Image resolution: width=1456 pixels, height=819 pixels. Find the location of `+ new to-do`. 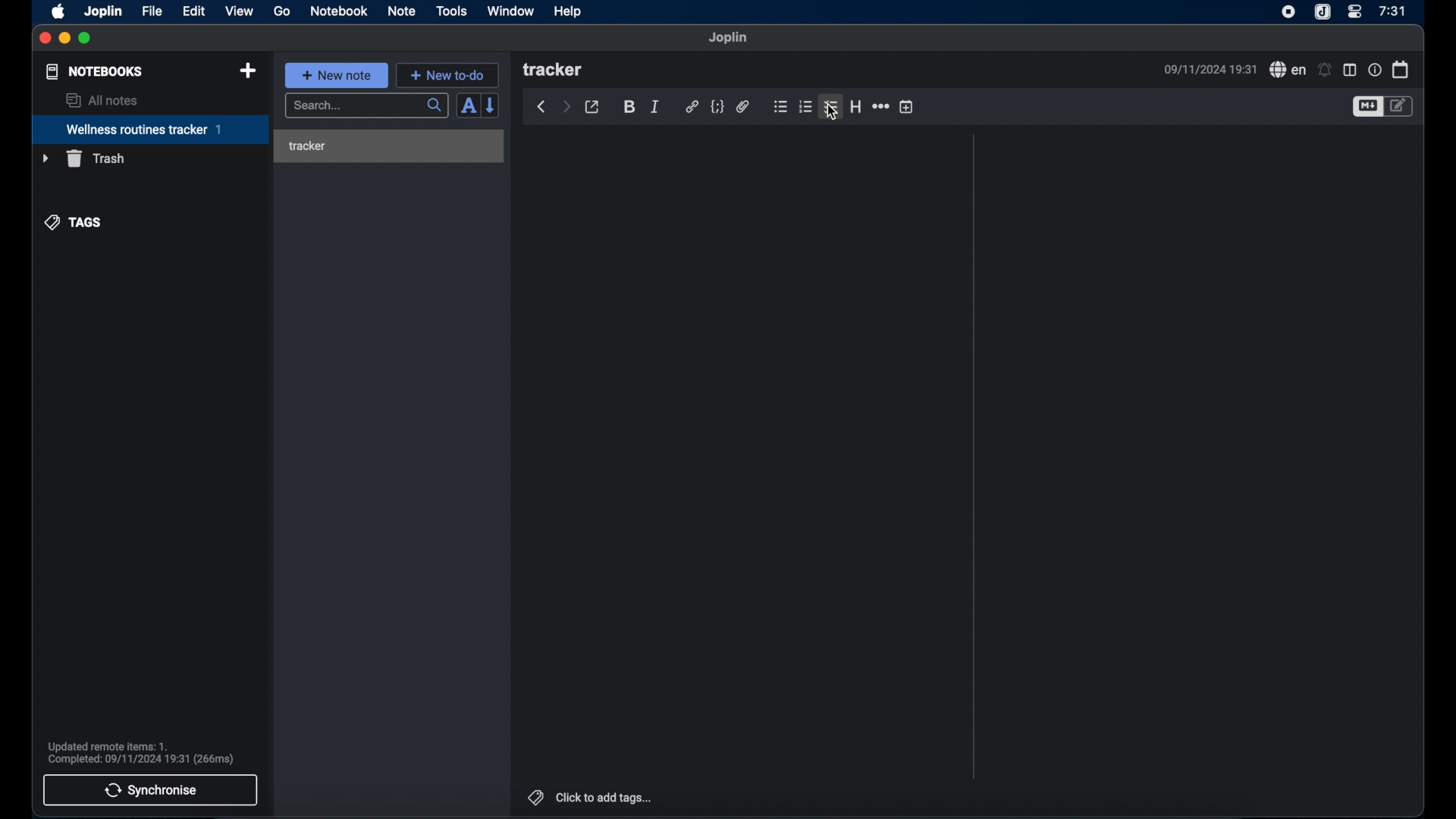

+ new to-do is located at coordinates (447, 74).